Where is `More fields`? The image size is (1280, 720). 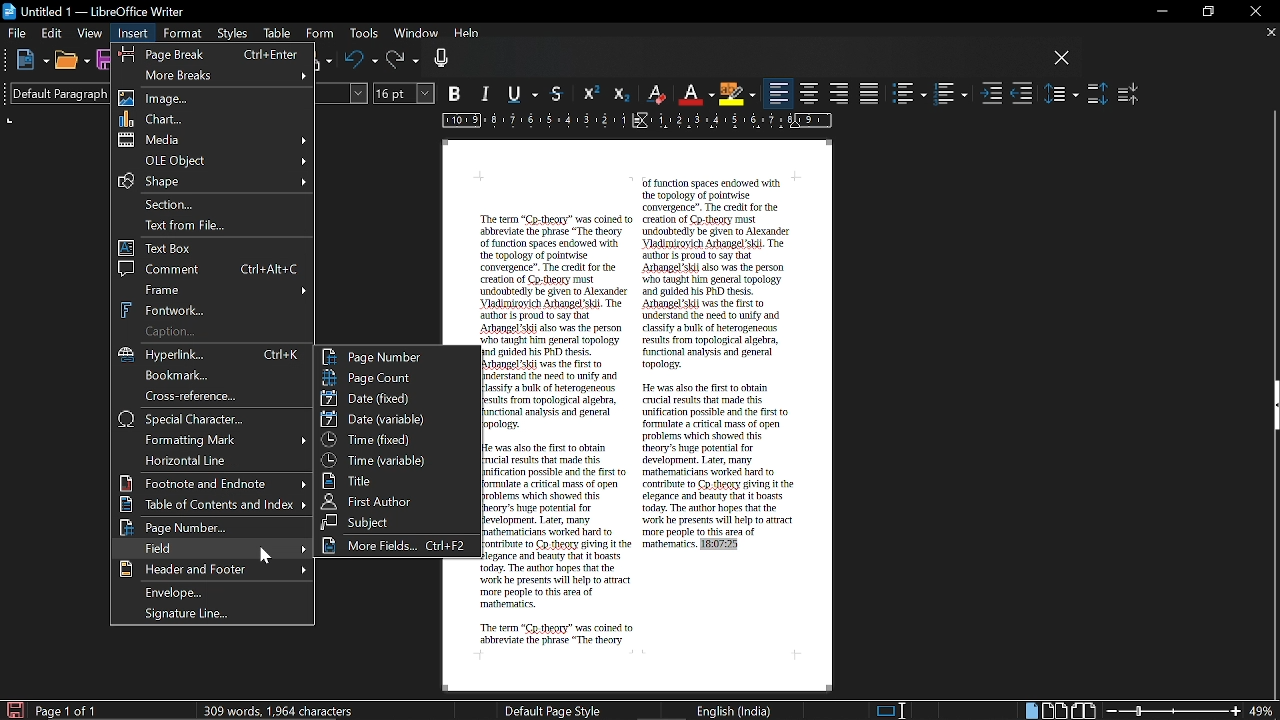
More fields is located at coordinates (398, 546).